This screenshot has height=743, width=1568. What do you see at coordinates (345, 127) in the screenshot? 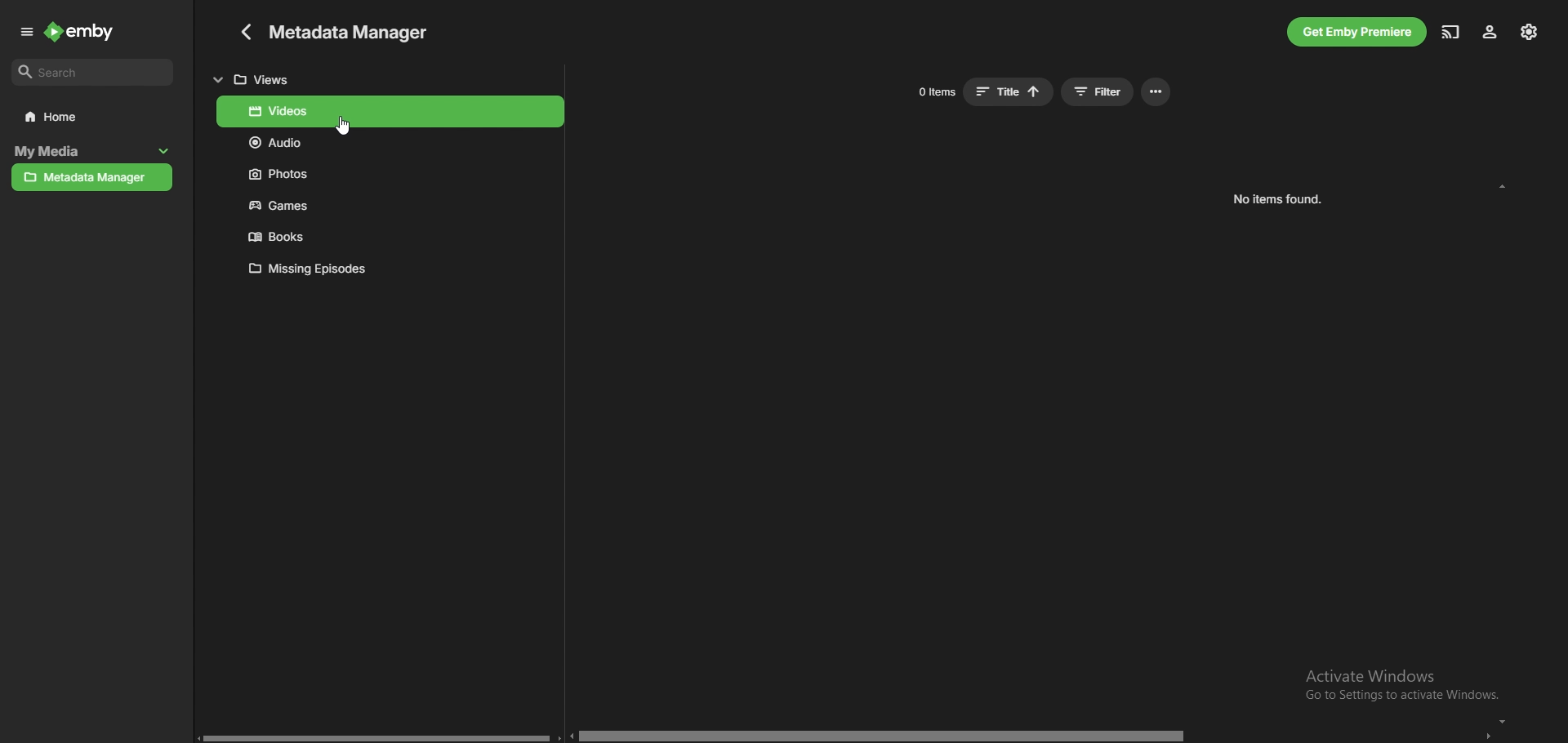
I see `Cursor` at bounding box center [345, 127].